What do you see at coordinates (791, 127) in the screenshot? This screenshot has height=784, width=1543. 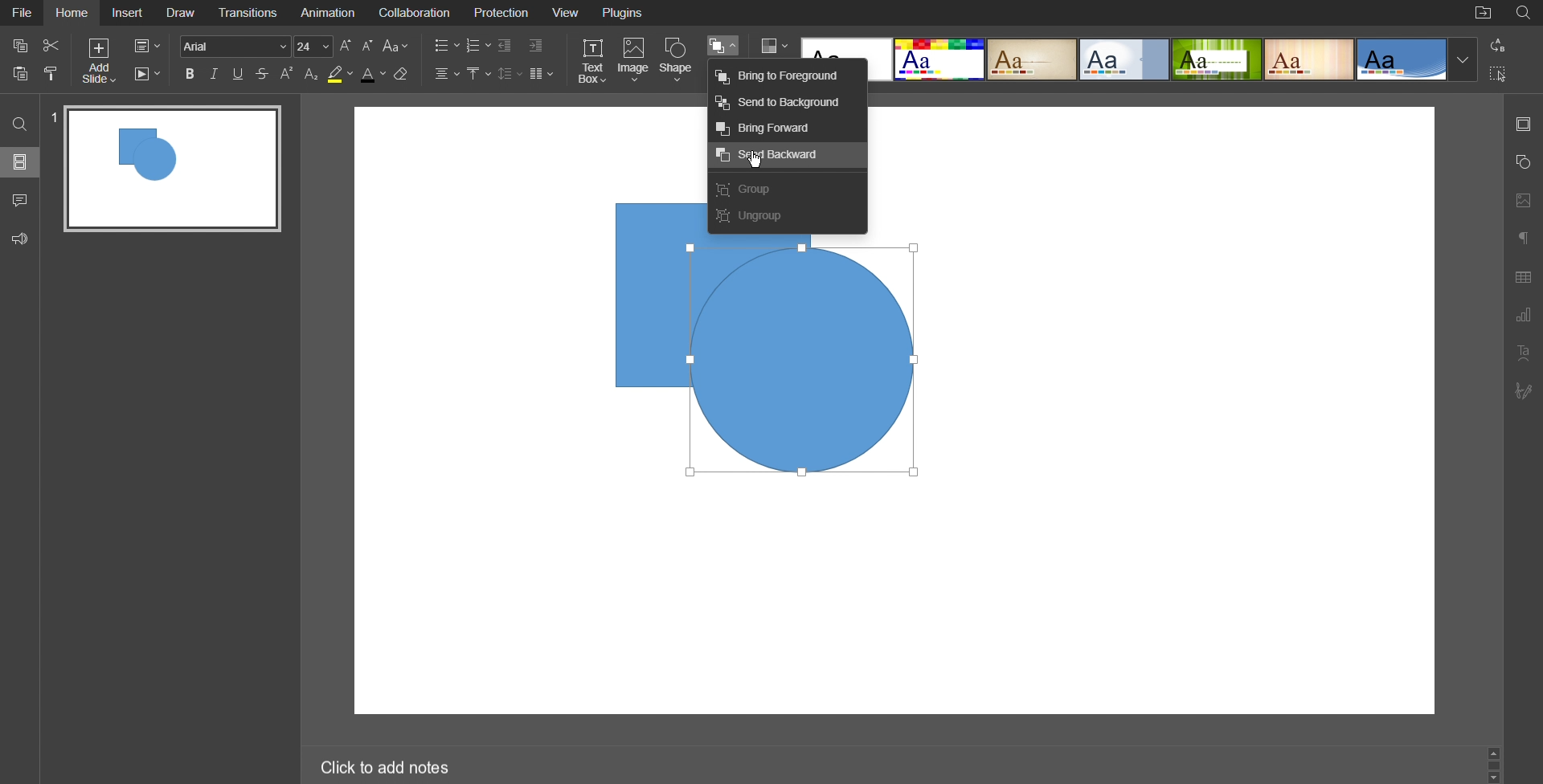 I see `Bring forward` at bounding box center [791, 127].